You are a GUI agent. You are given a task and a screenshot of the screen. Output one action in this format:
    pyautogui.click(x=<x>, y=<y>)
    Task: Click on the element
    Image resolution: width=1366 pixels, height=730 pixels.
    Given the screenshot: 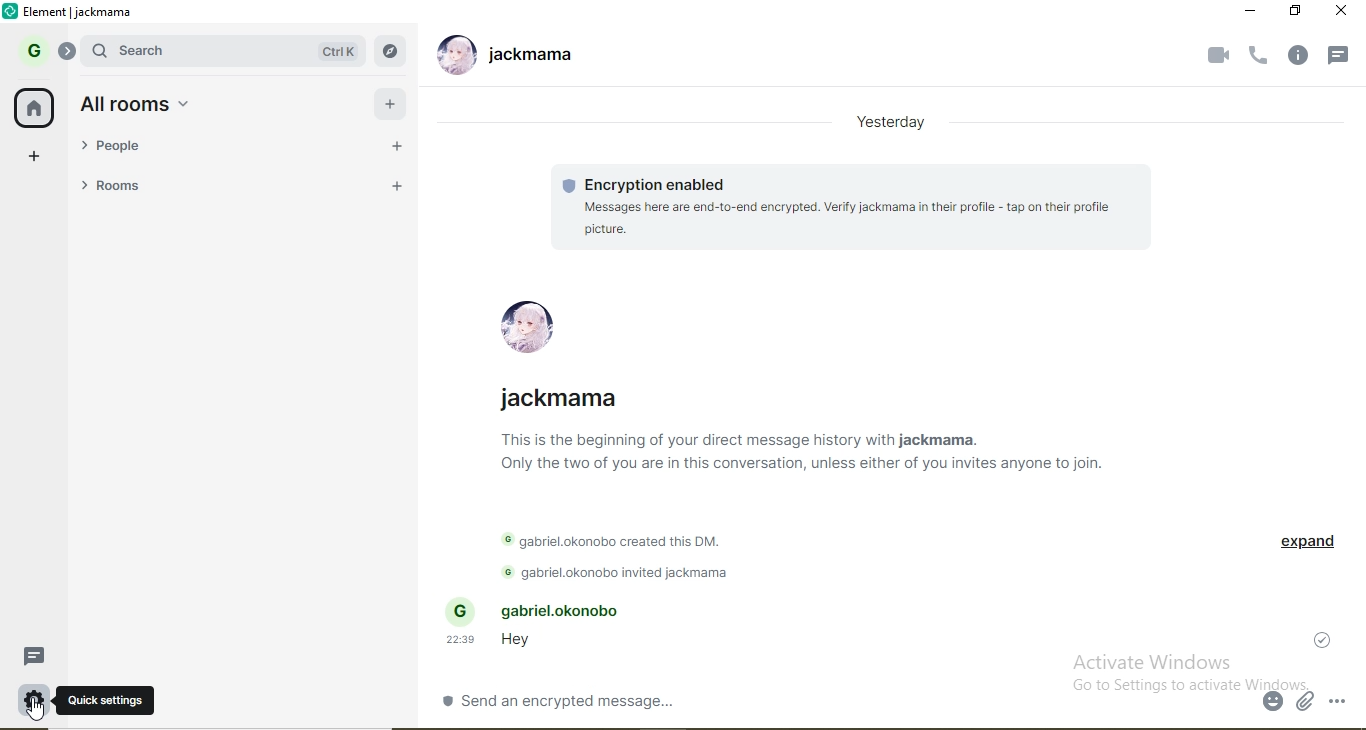 What is the action you would take?
    pyautogui.click(x=79, y=13)
    